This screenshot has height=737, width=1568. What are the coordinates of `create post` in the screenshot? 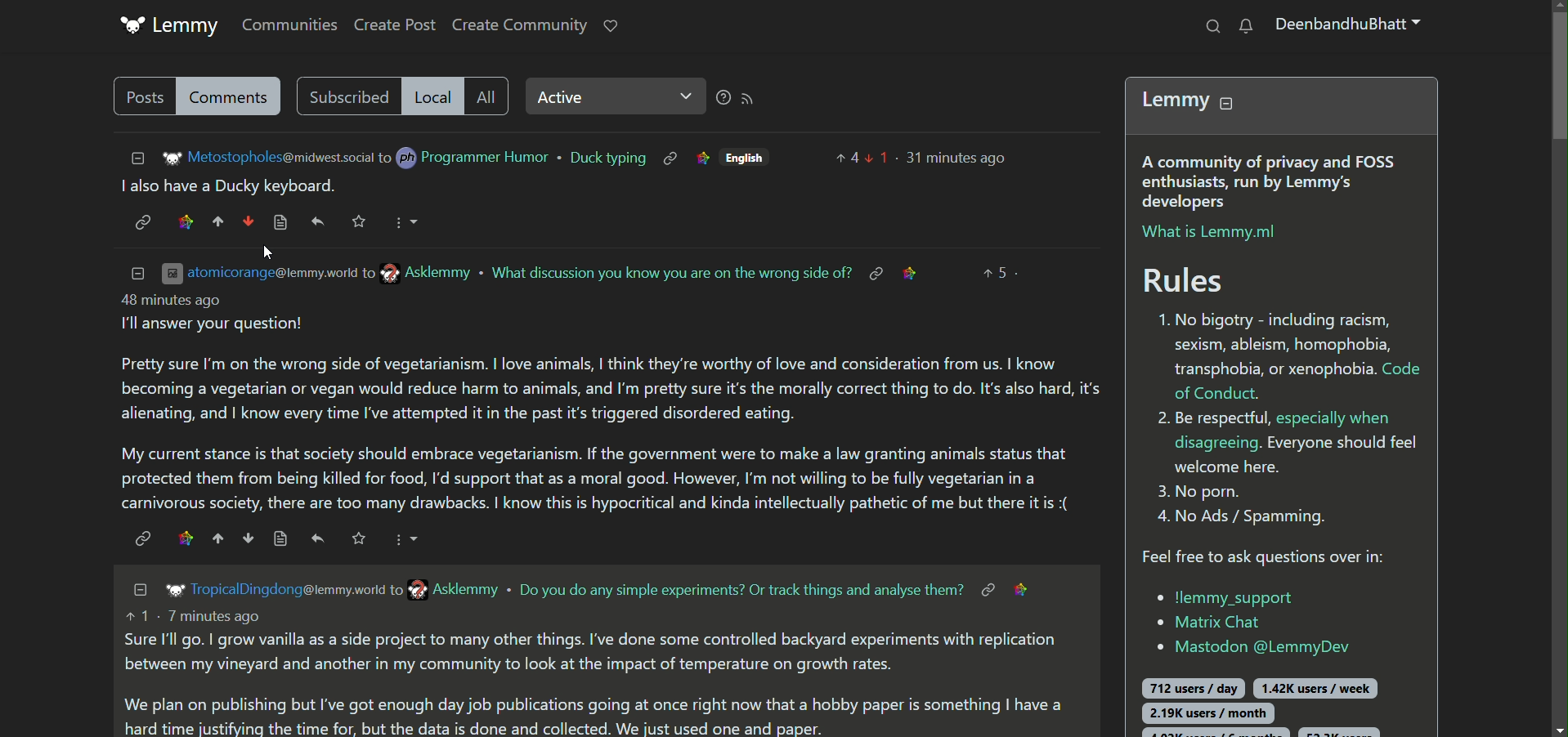 It's located at (396, 26).